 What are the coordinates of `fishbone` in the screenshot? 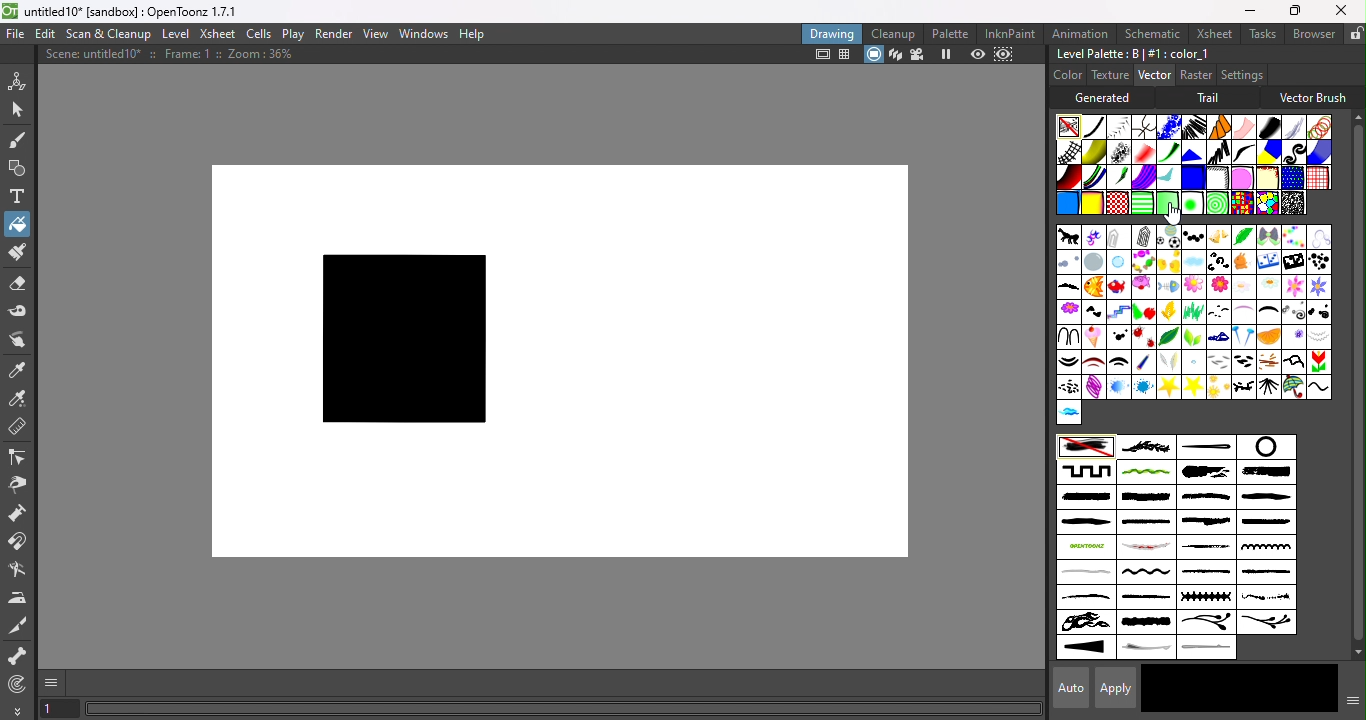 It's located at (1168, 287).